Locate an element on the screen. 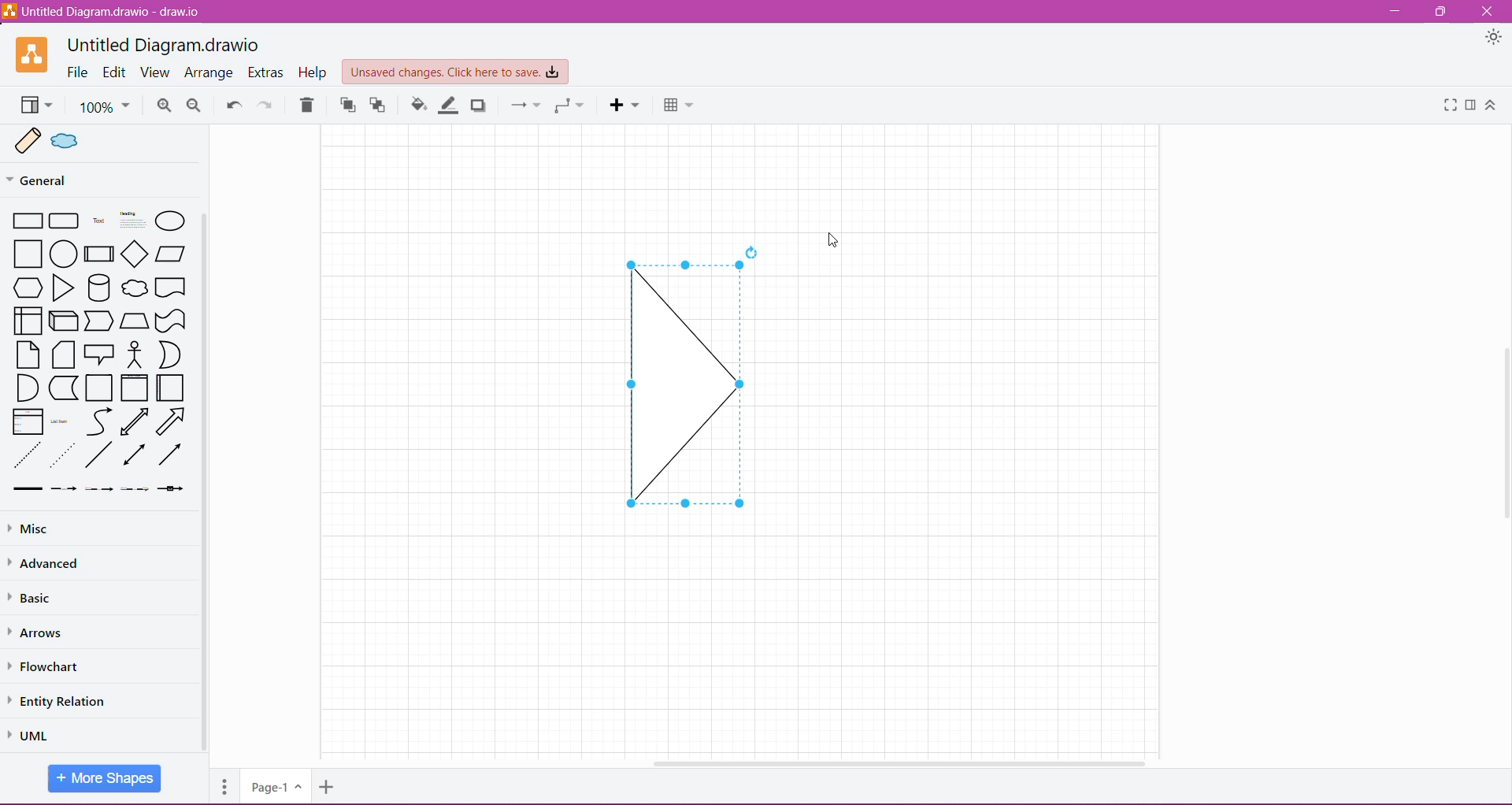  Connectors is located at coordinates (525, 105).